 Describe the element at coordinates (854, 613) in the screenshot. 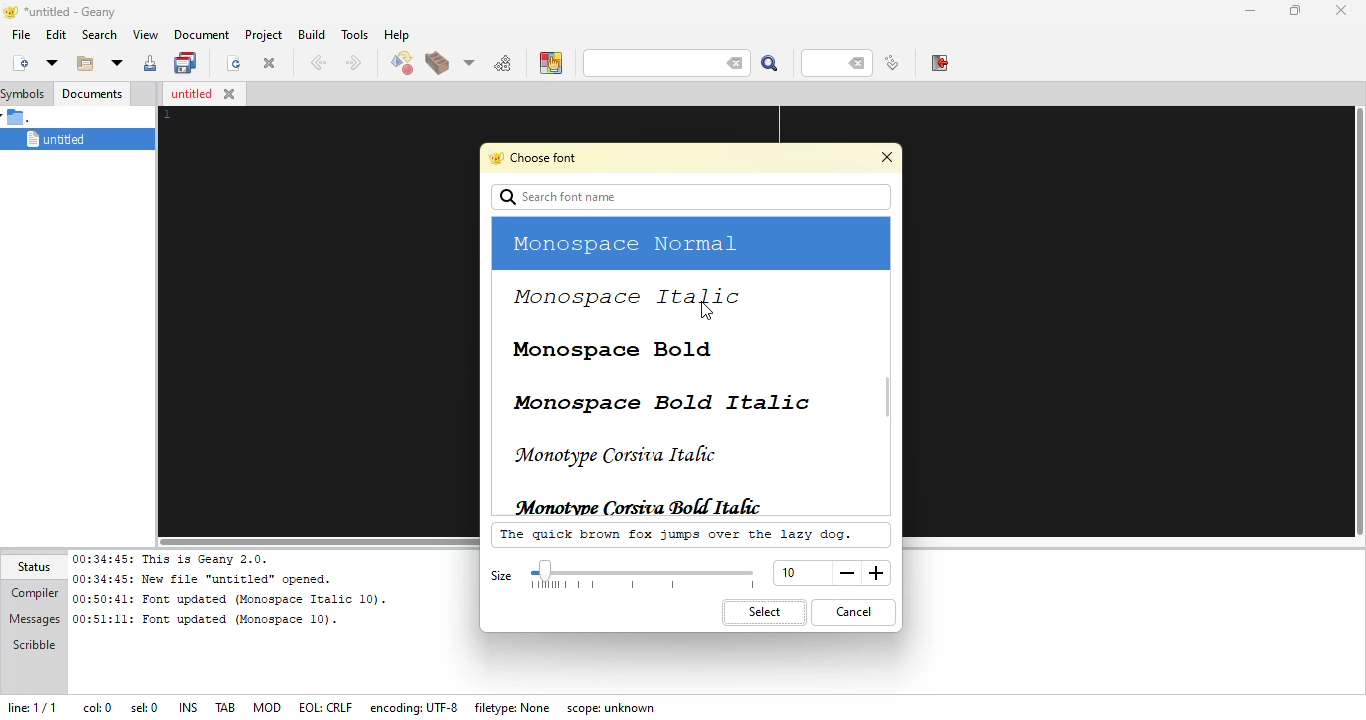

I see `cancel` at that location.